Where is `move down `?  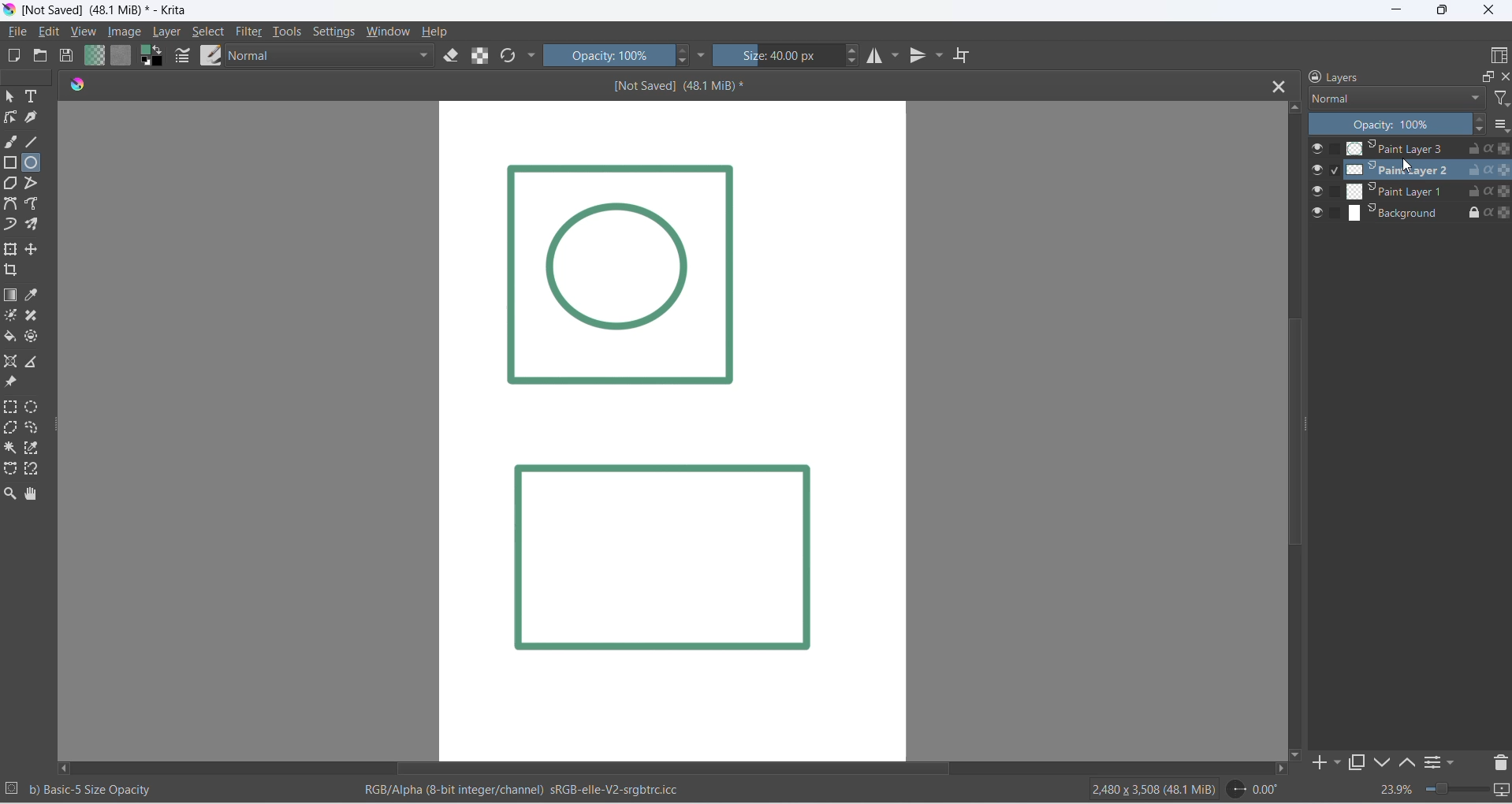 move down  is located at coordinates (1296, 754).